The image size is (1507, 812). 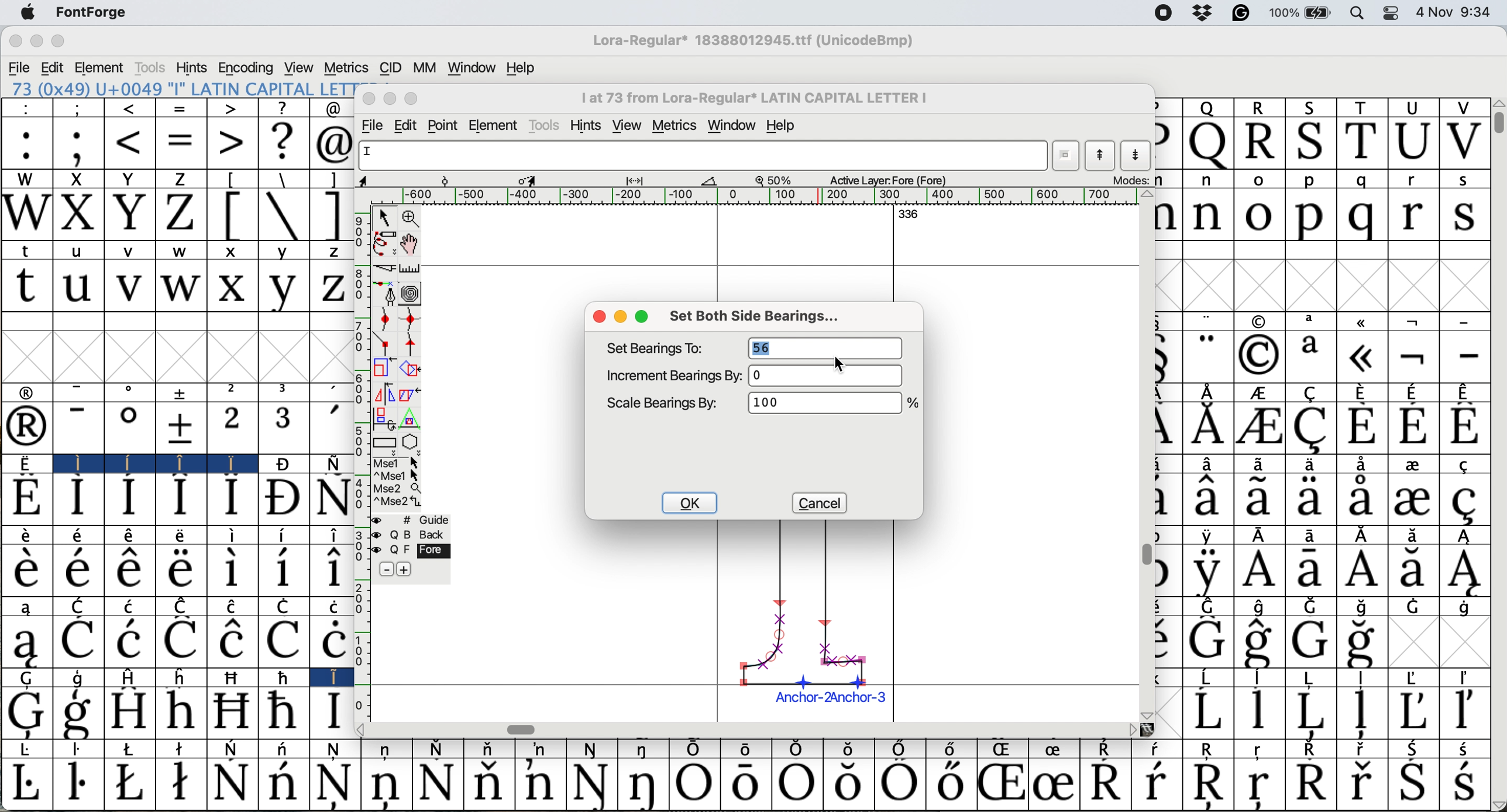 I want to click on help, so click(x=789, y=125).